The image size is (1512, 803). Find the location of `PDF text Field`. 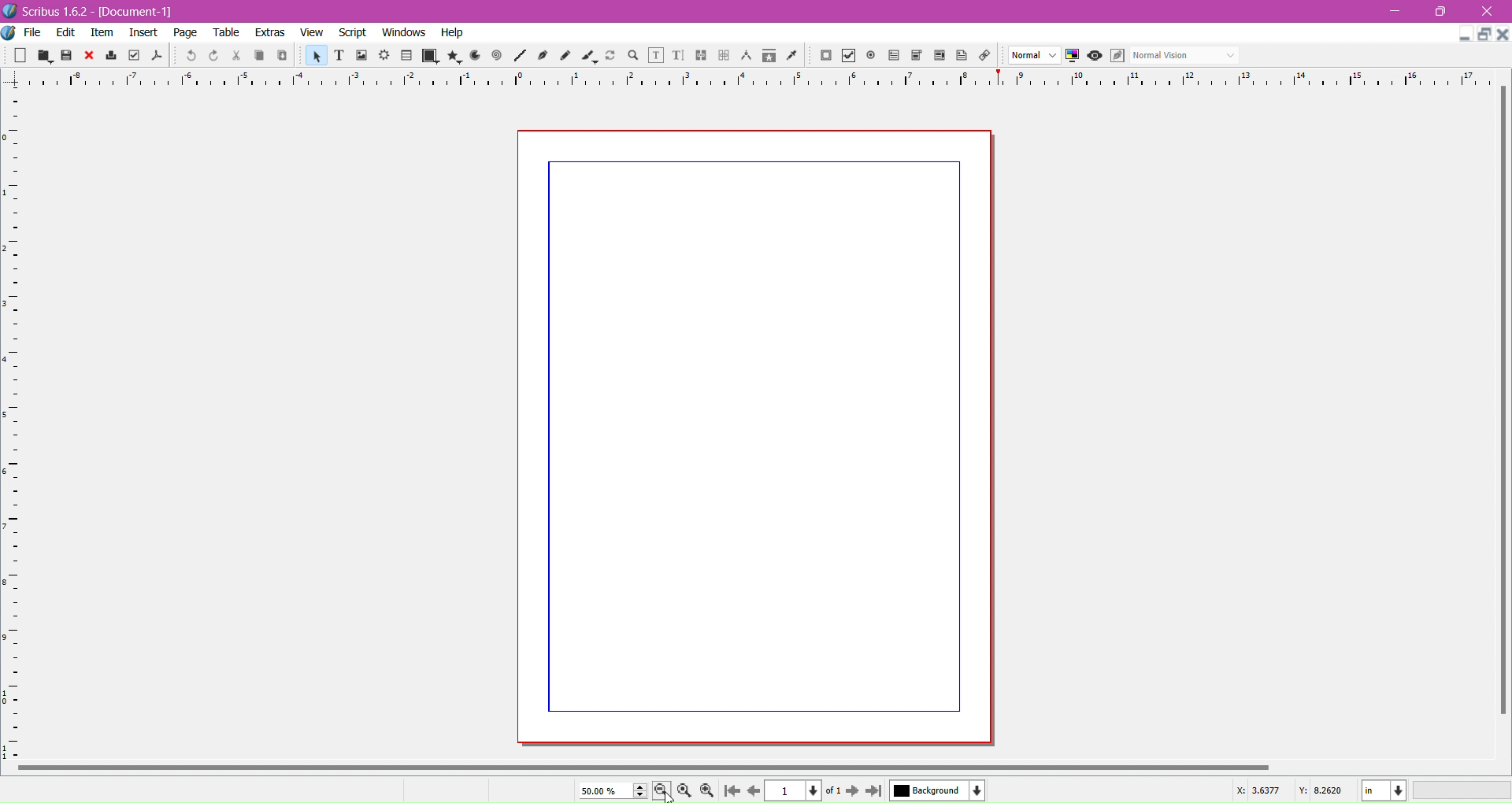

PDF text Field is located at coordinates (892, 56).